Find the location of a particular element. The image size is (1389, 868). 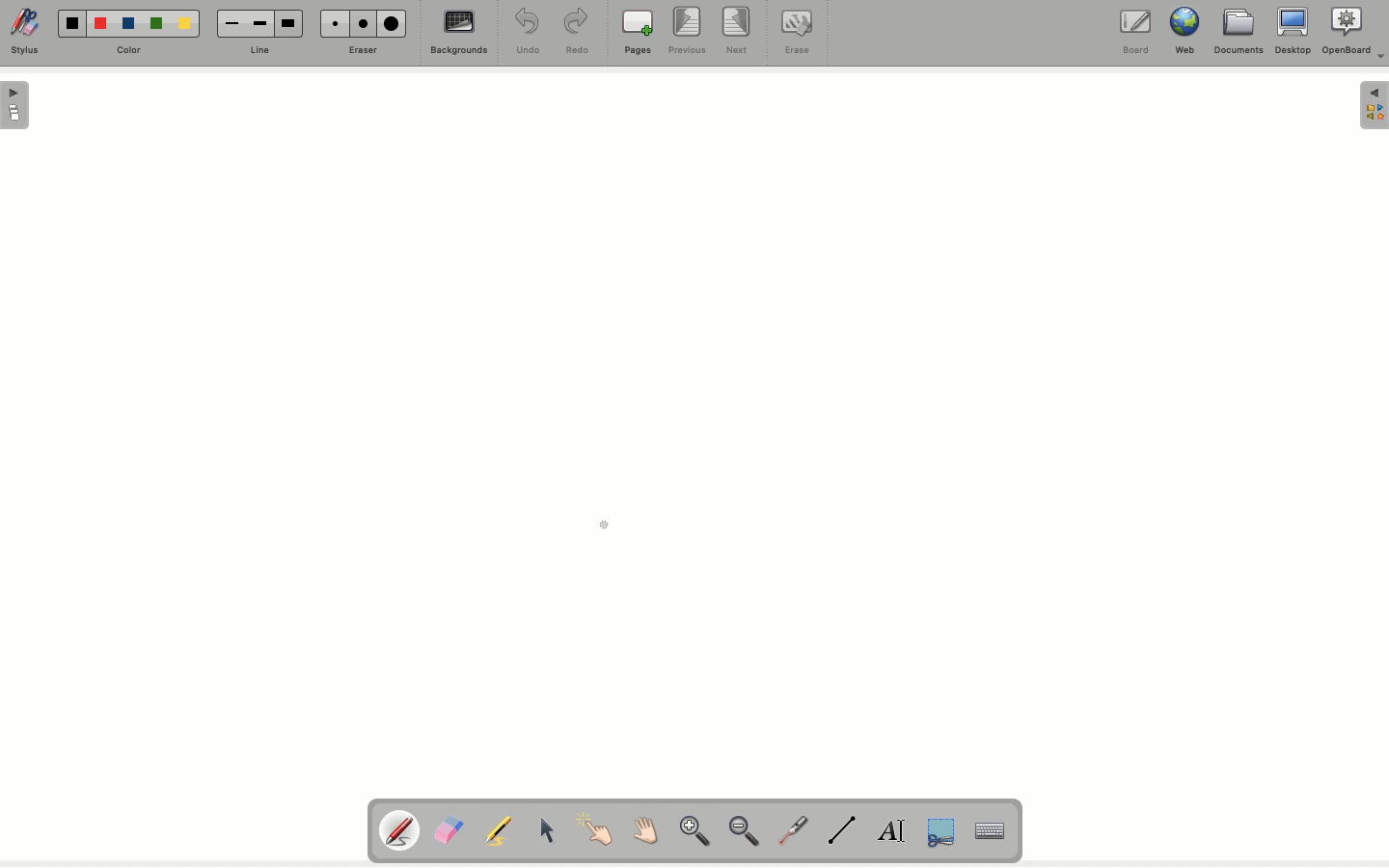

Line is located at coordinates (844, 831).